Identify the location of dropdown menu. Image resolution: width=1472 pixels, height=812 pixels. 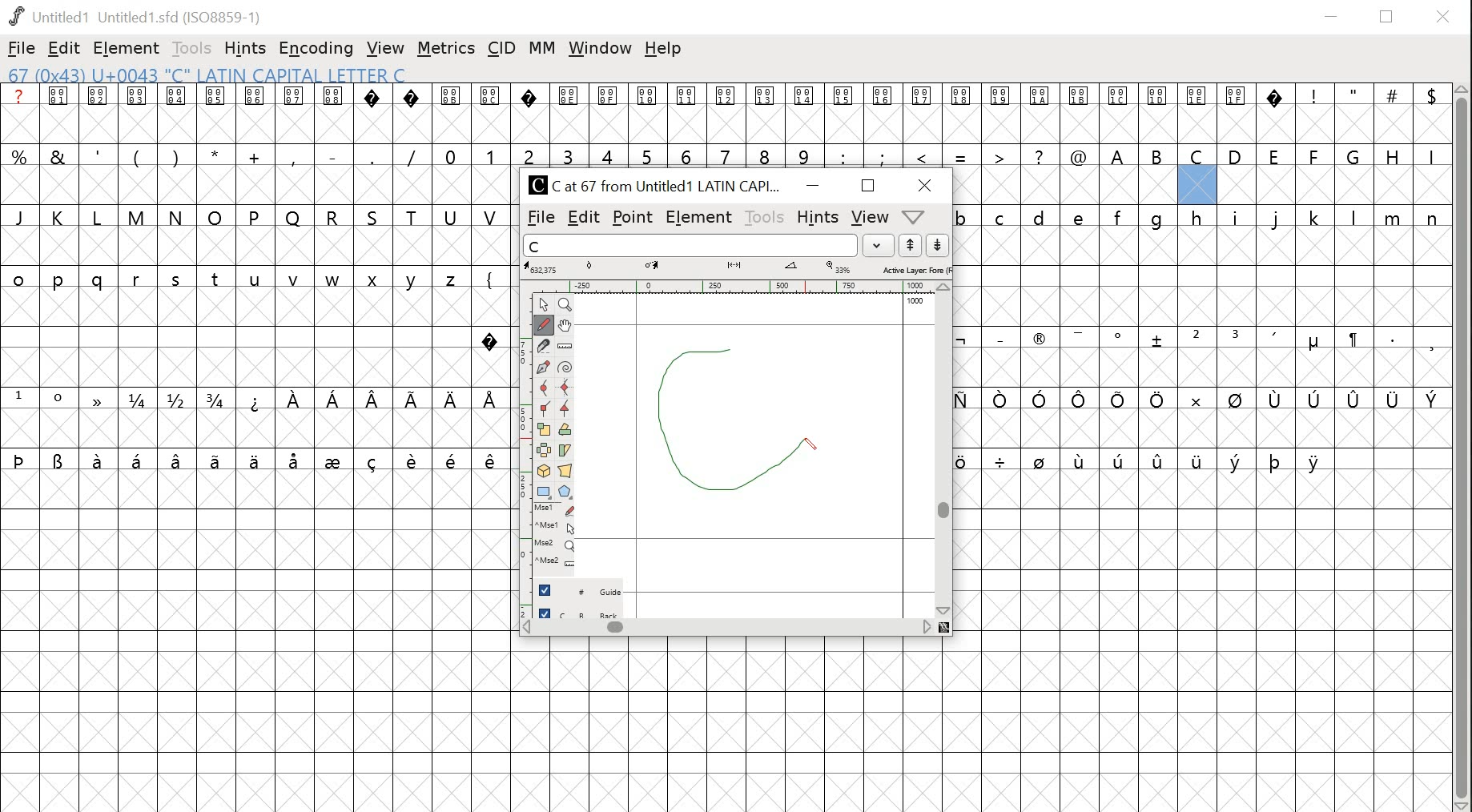
(878, 245).